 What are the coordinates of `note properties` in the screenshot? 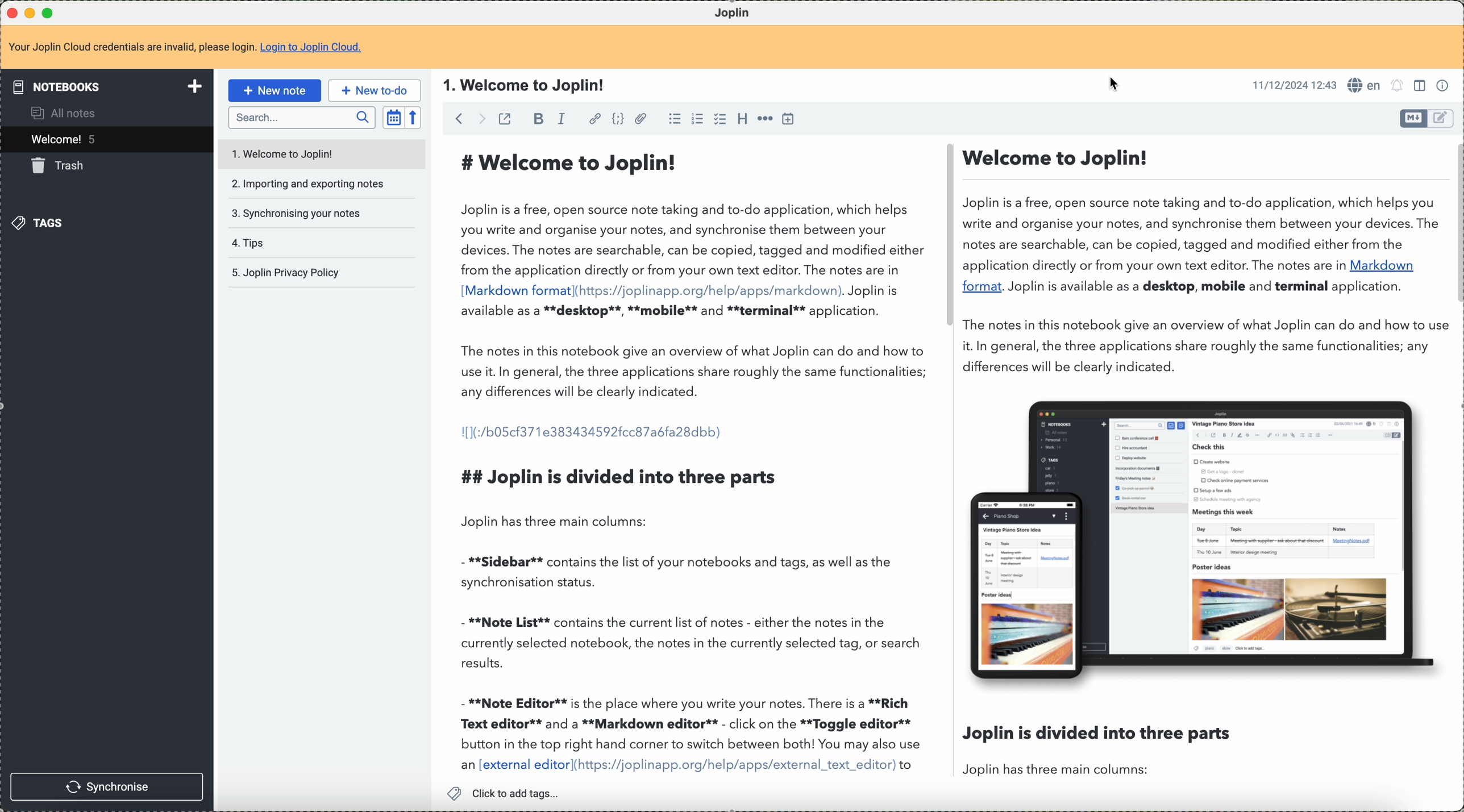 It's located at (1444, 86).